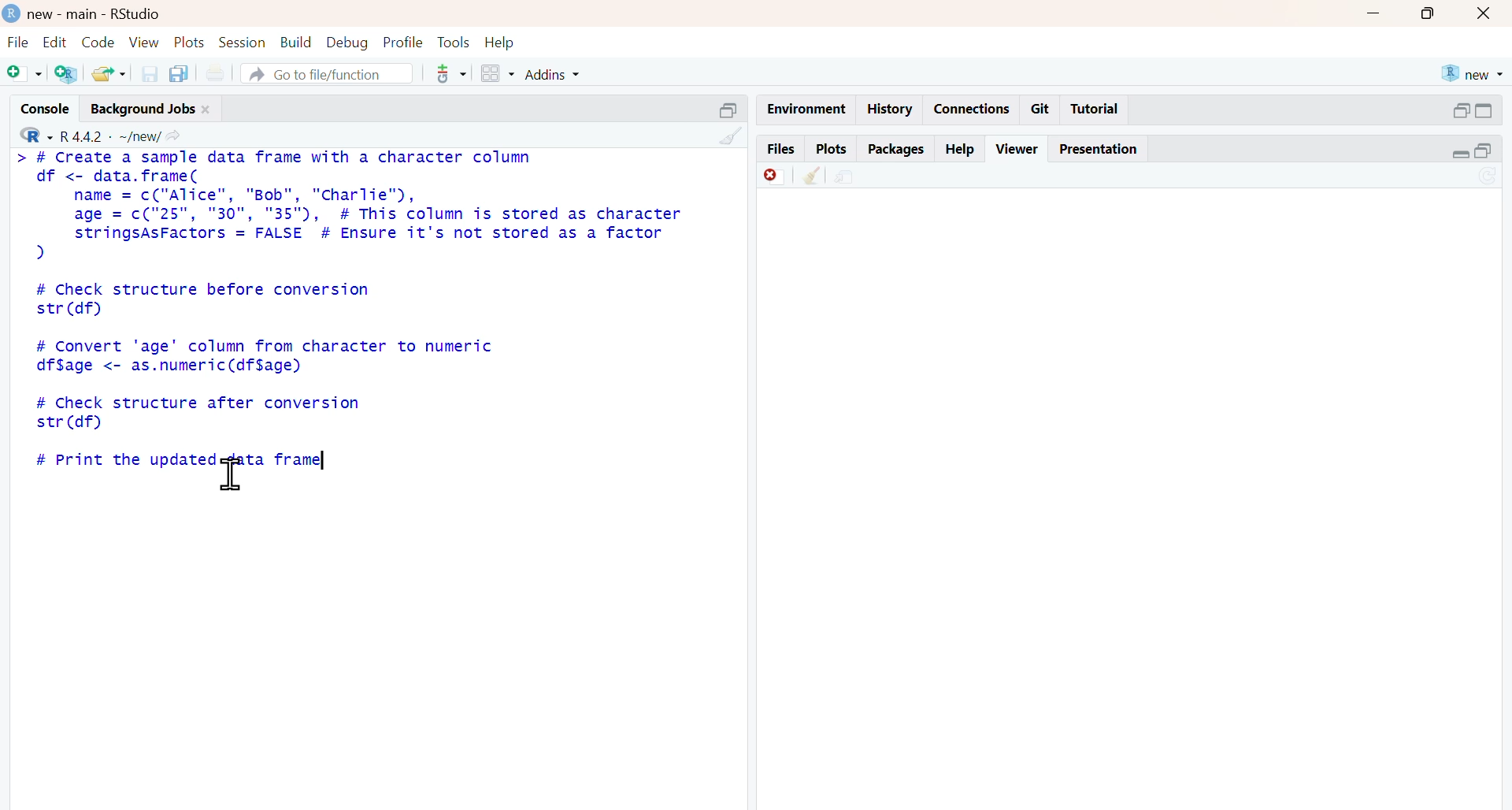 Image resolution: width=1512 pixels, height=810 pixels. Describe the element at coordinates (1096, 149) in the screenshot. I see `presentation` at that location.